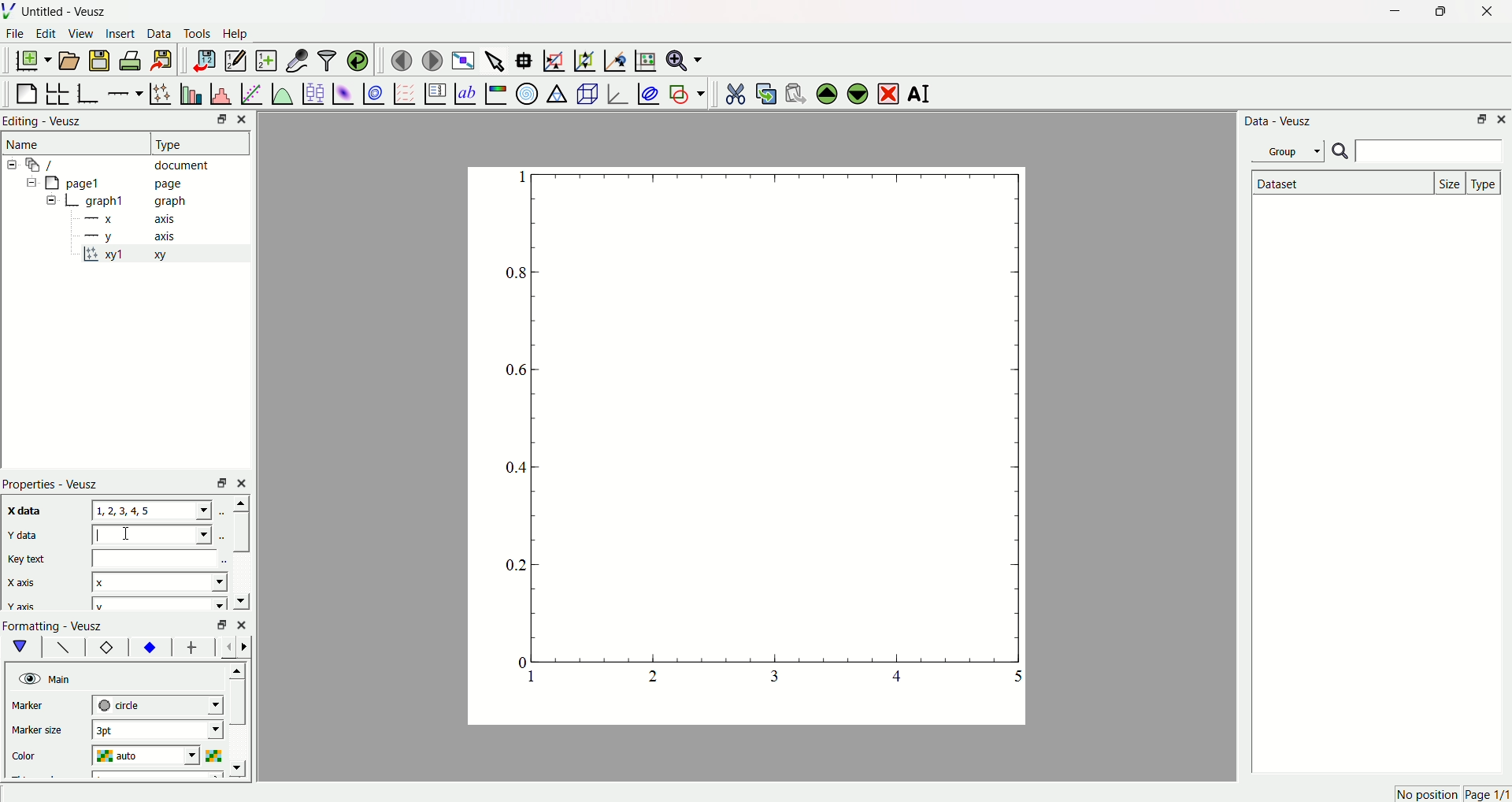 The height and width of the screenshot is (802, 1512). Describe the element at coordinates (192, 649) in the screenshot. I see `error bar line` at that location.